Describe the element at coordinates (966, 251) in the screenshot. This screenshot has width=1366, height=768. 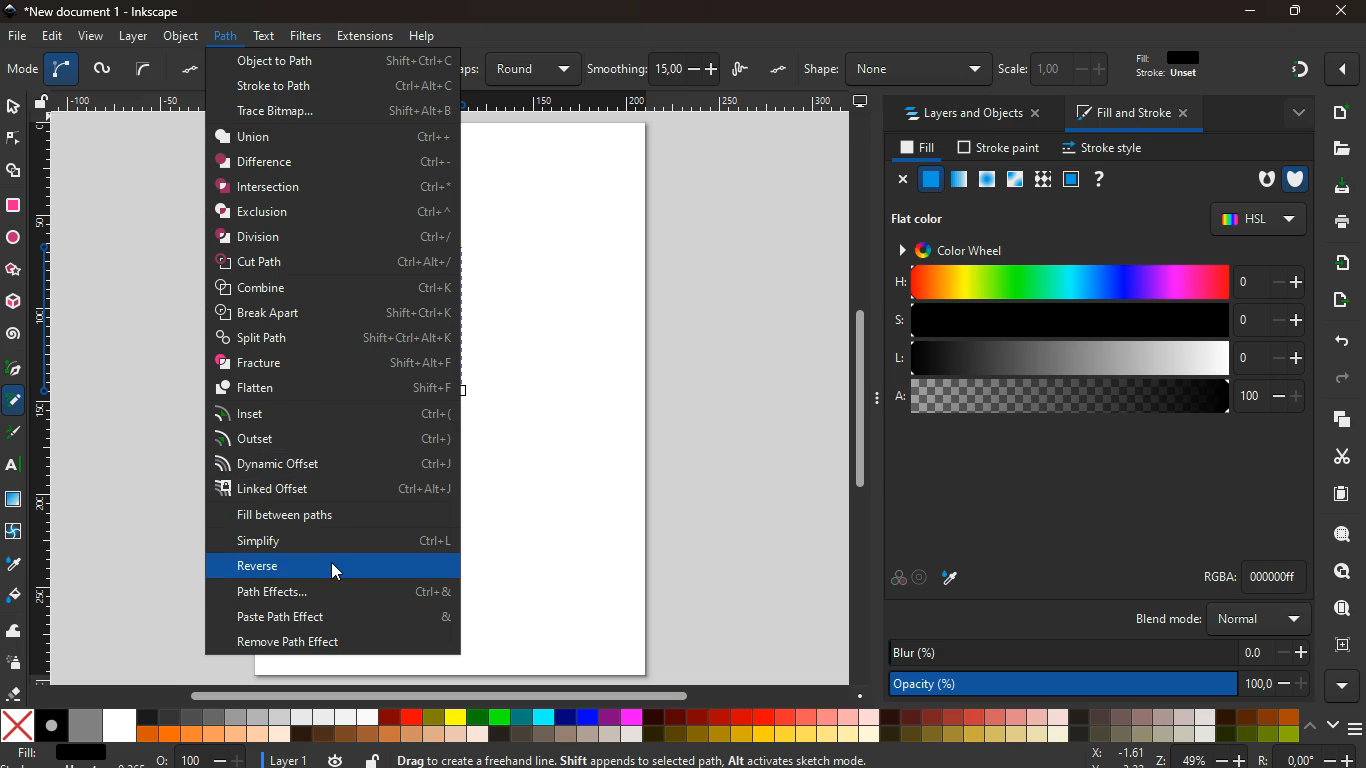
I see `color wheel` at that location.